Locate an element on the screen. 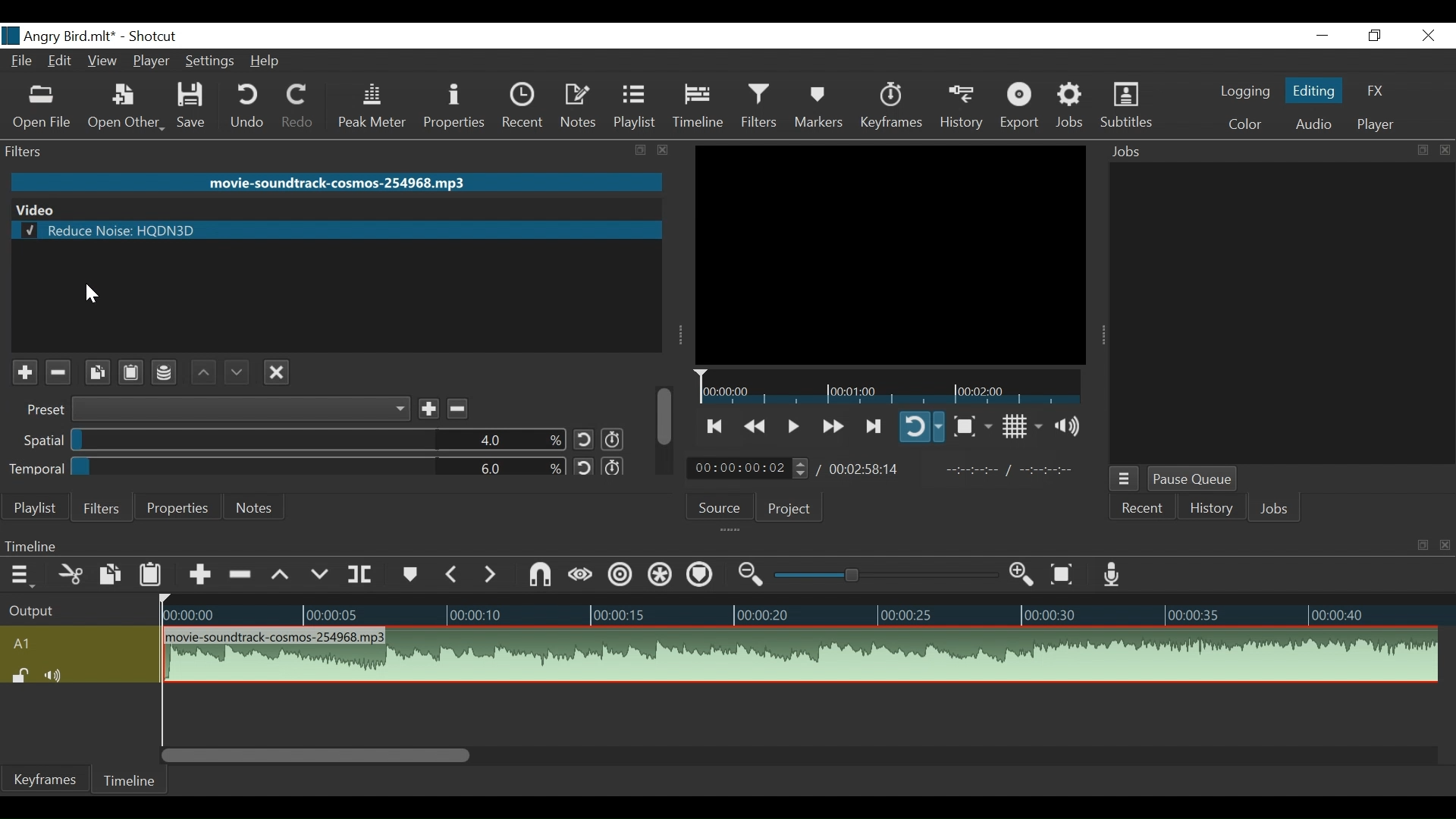  Play quickly forward is located at coordinates (831, 425).